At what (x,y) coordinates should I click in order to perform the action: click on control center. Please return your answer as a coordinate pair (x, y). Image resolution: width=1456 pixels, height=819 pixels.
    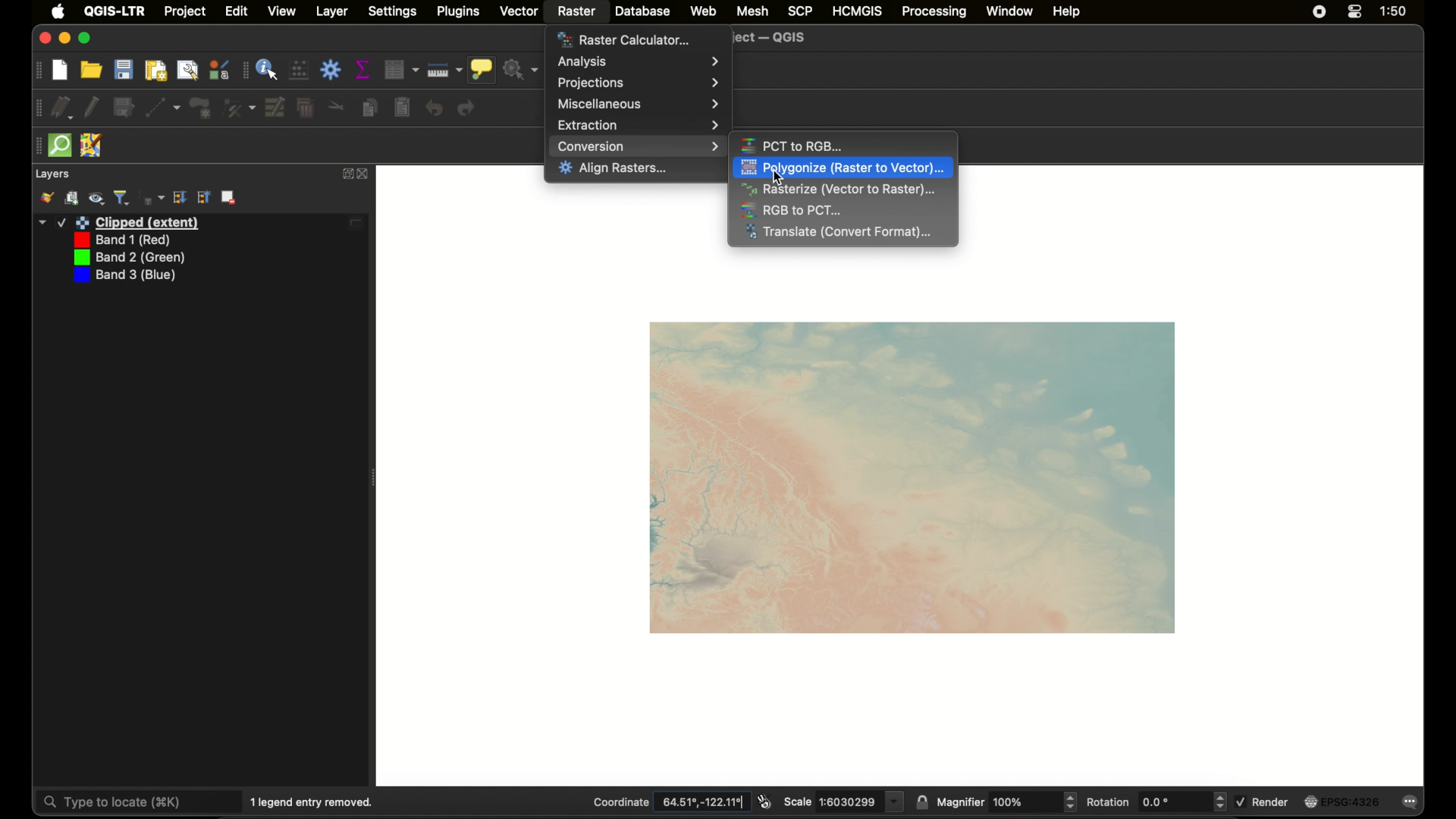
    Looking at the image, I should click on (1355, 12).